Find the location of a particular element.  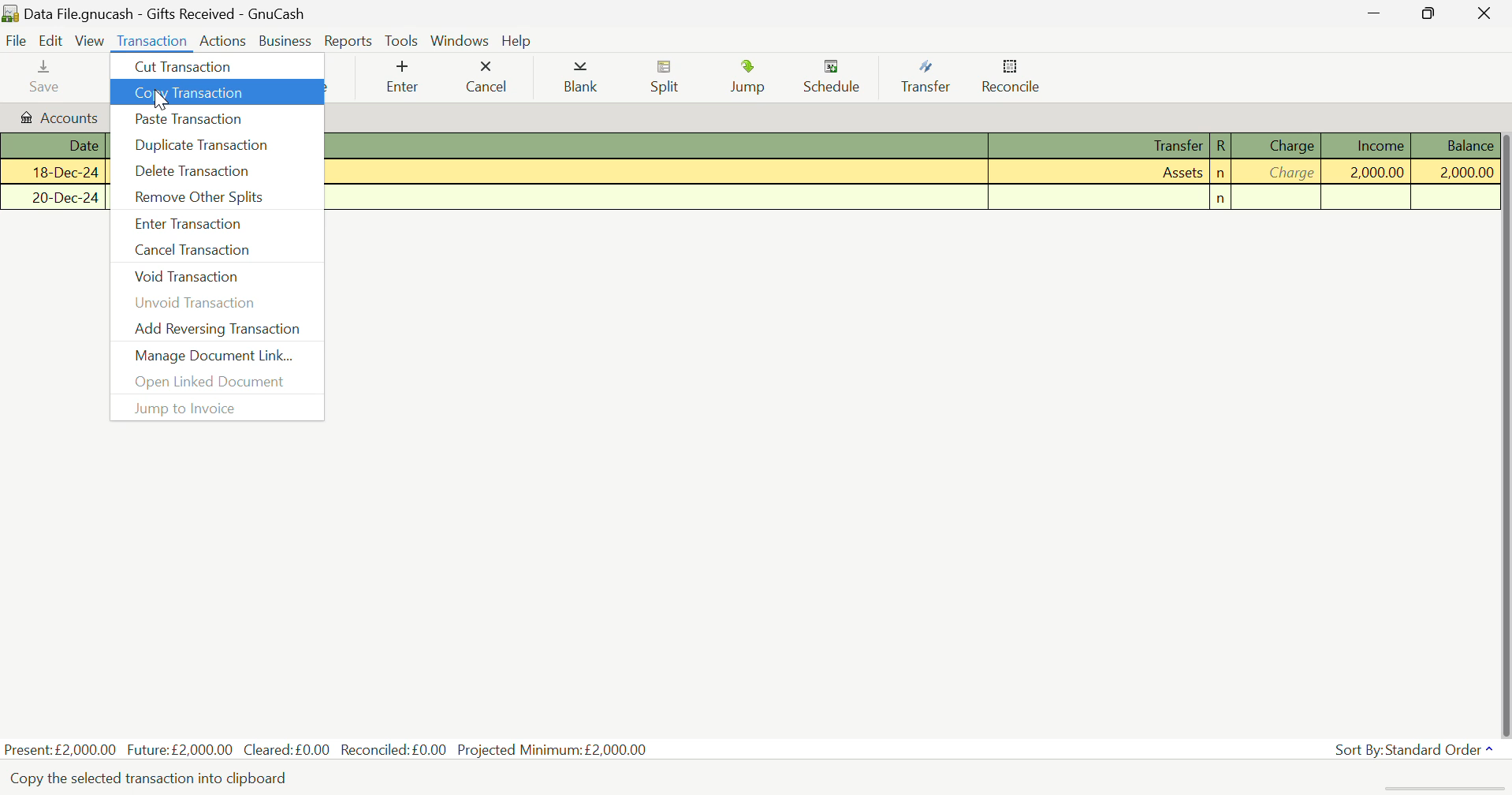

Jump is located at coordinates (753, 77).